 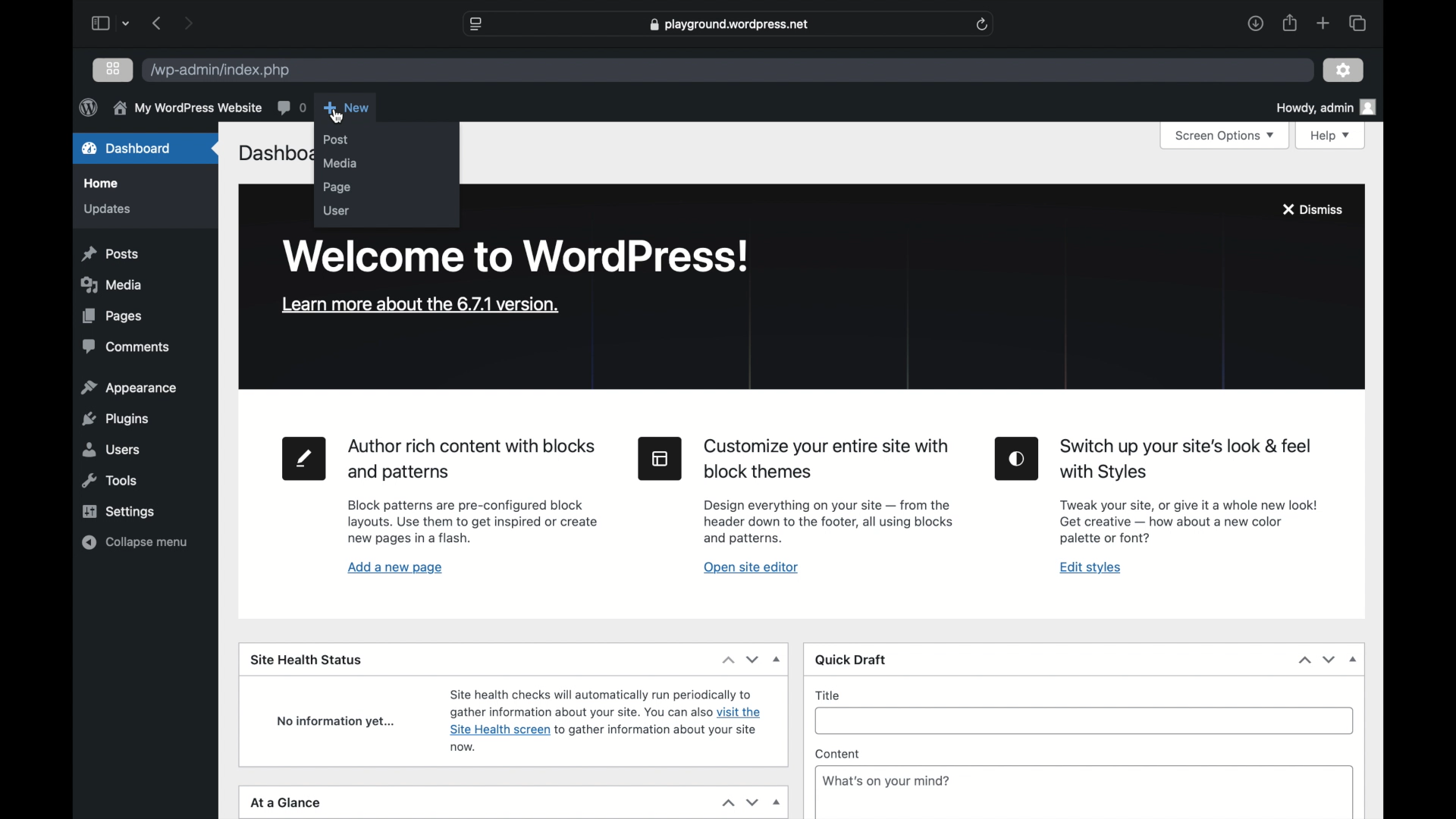 What do you see at coordinates (129, 388) in the screenshot?
I see `appearance` at bounding box center [129, 388].